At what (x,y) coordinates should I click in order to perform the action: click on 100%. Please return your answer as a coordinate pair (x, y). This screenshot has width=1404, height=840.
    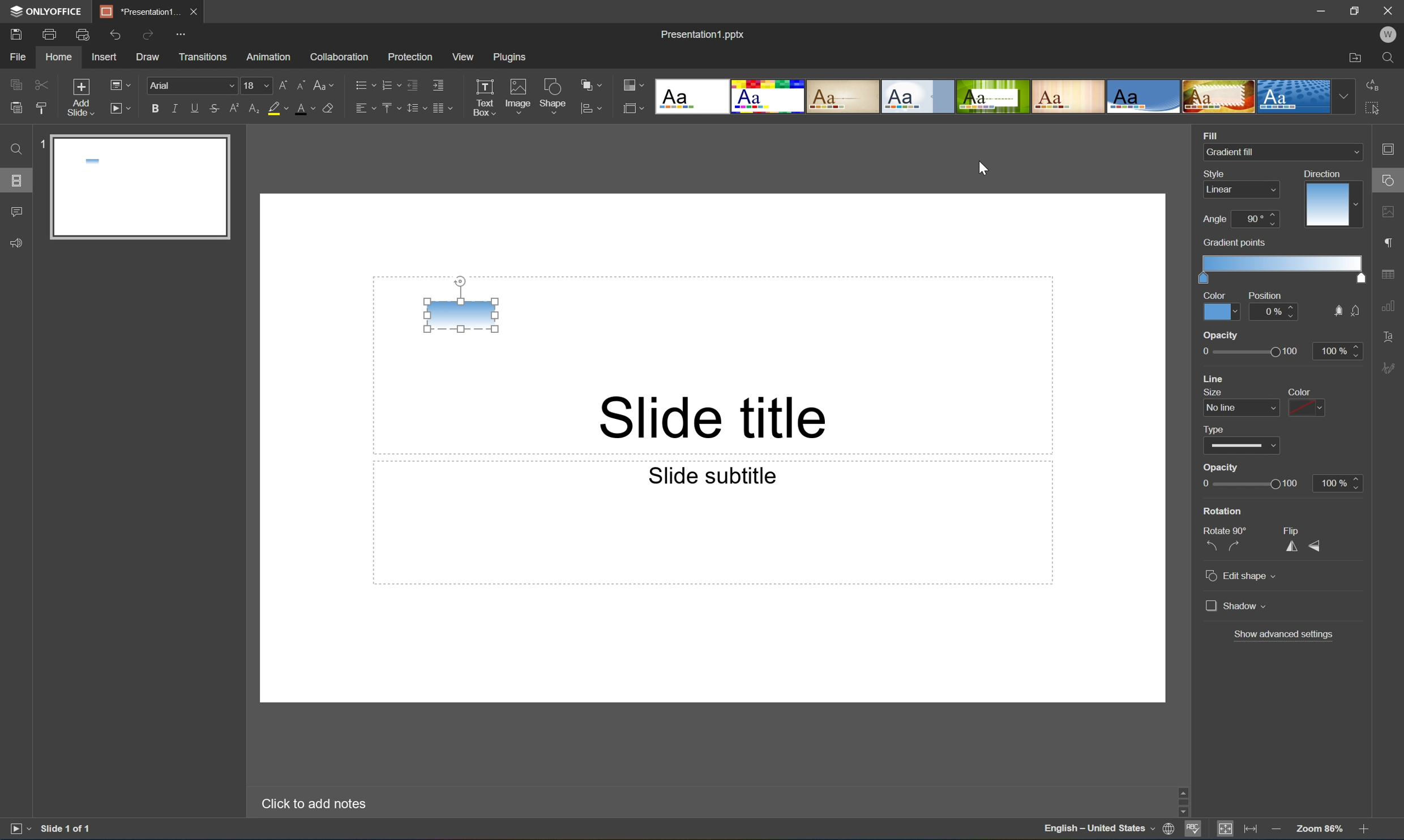
    Looking at the image, I should click on (1337, 351).